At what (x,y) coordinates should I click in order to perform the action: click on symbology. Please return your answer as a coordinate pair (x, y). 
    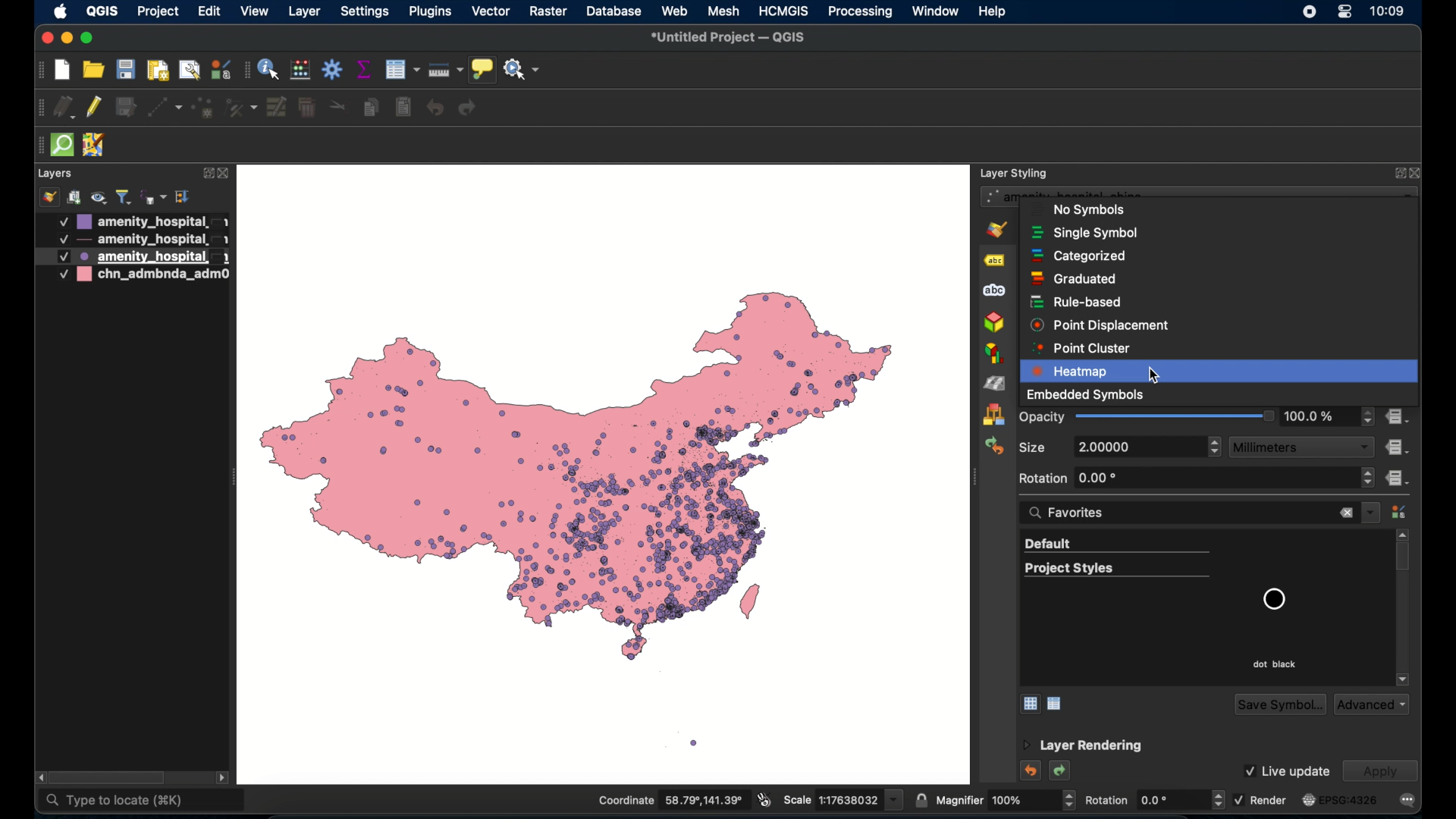
    Looking at the image, I should click on (999, 230).